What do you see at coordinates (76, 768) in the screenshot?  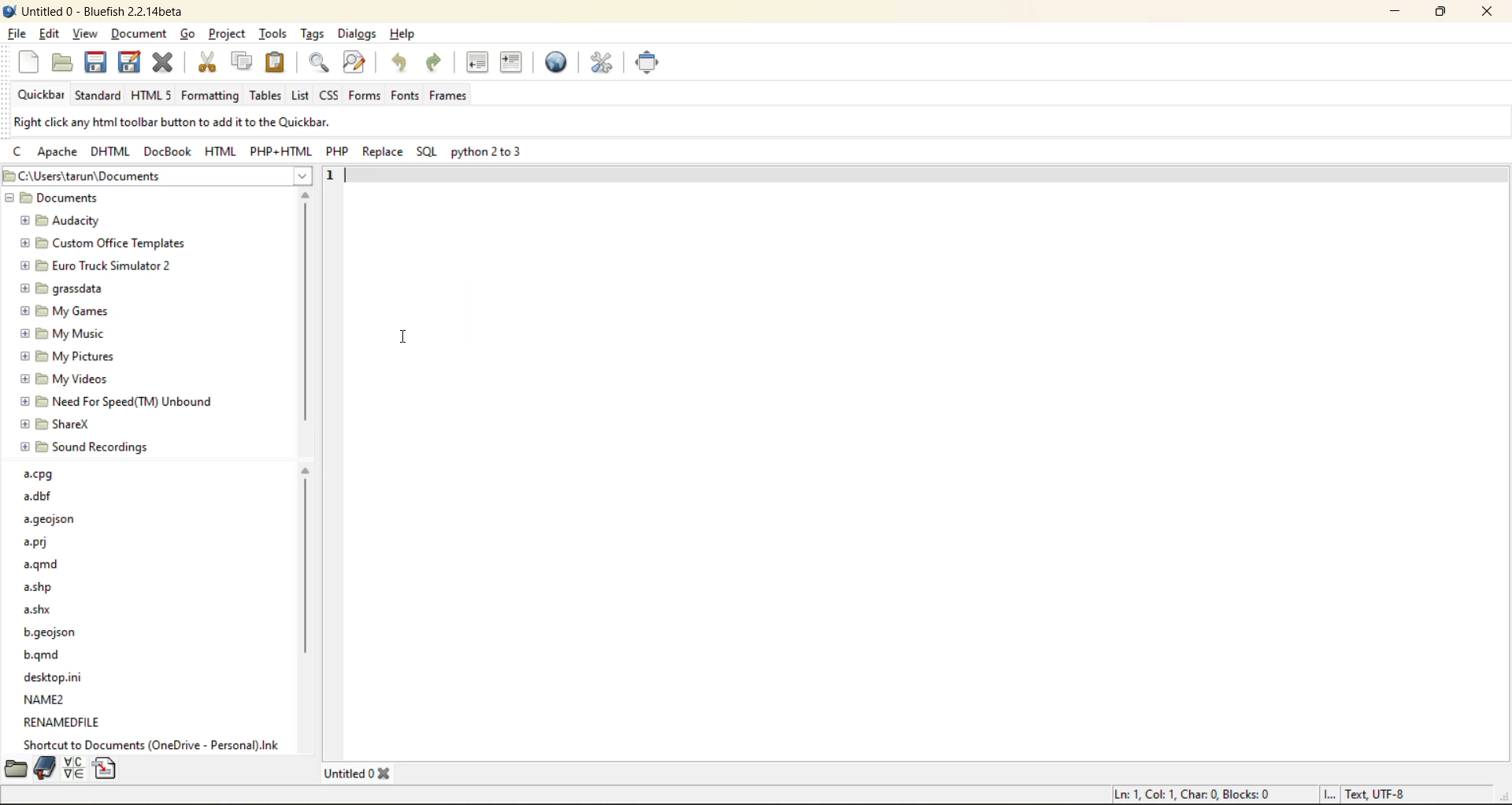 I see `charmap` at bounding box center [76, 768].